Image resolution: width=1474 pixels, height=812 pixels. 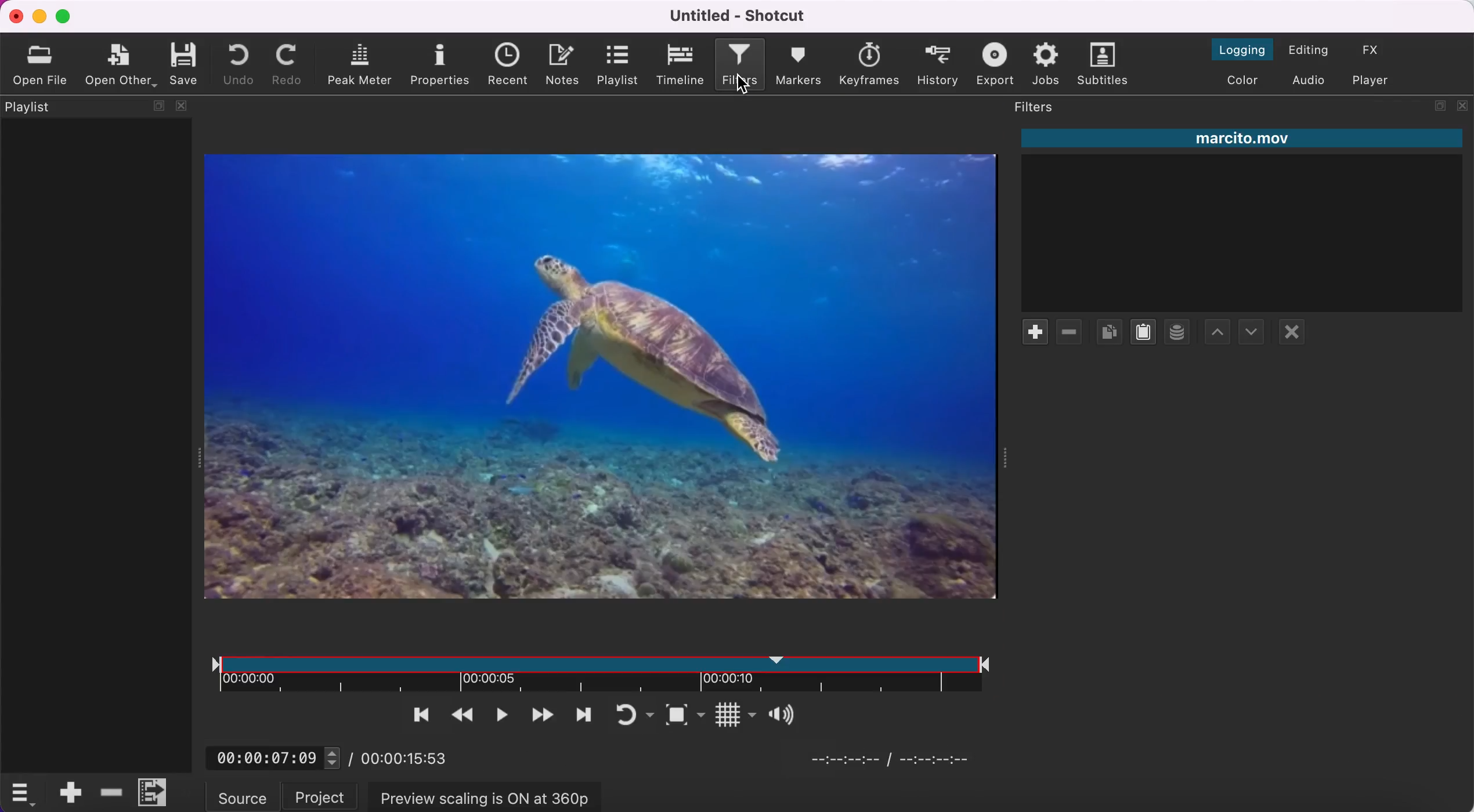 I want to click on 00:00:15:53, so click(x=410, y=756).